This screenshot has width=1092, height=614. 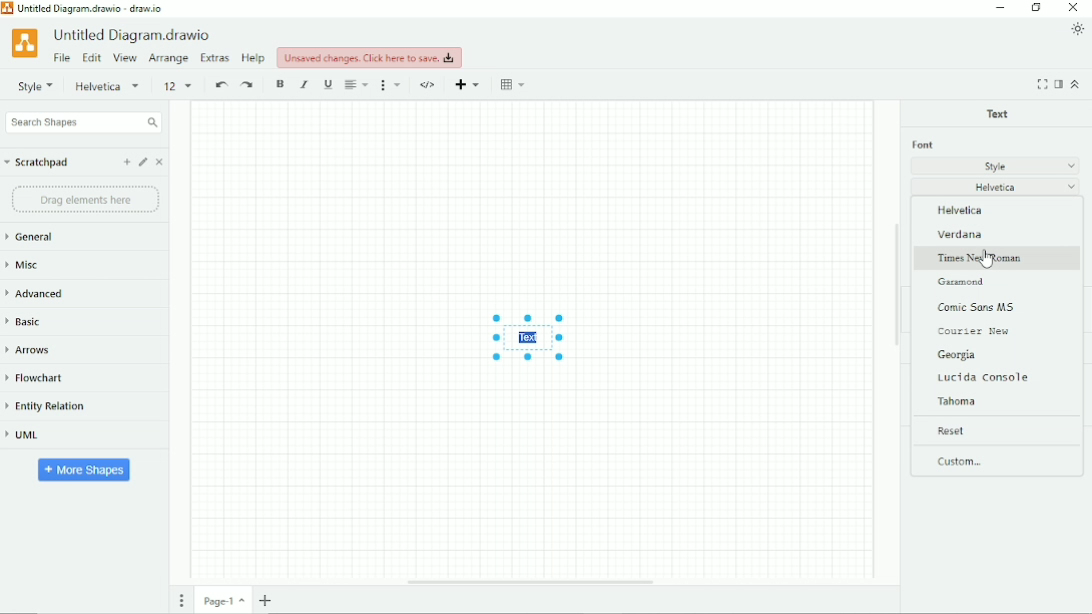 What do you see at coordinates (127, 162) in the screenshot?
I see `Add` at bounding box center [127, 162].